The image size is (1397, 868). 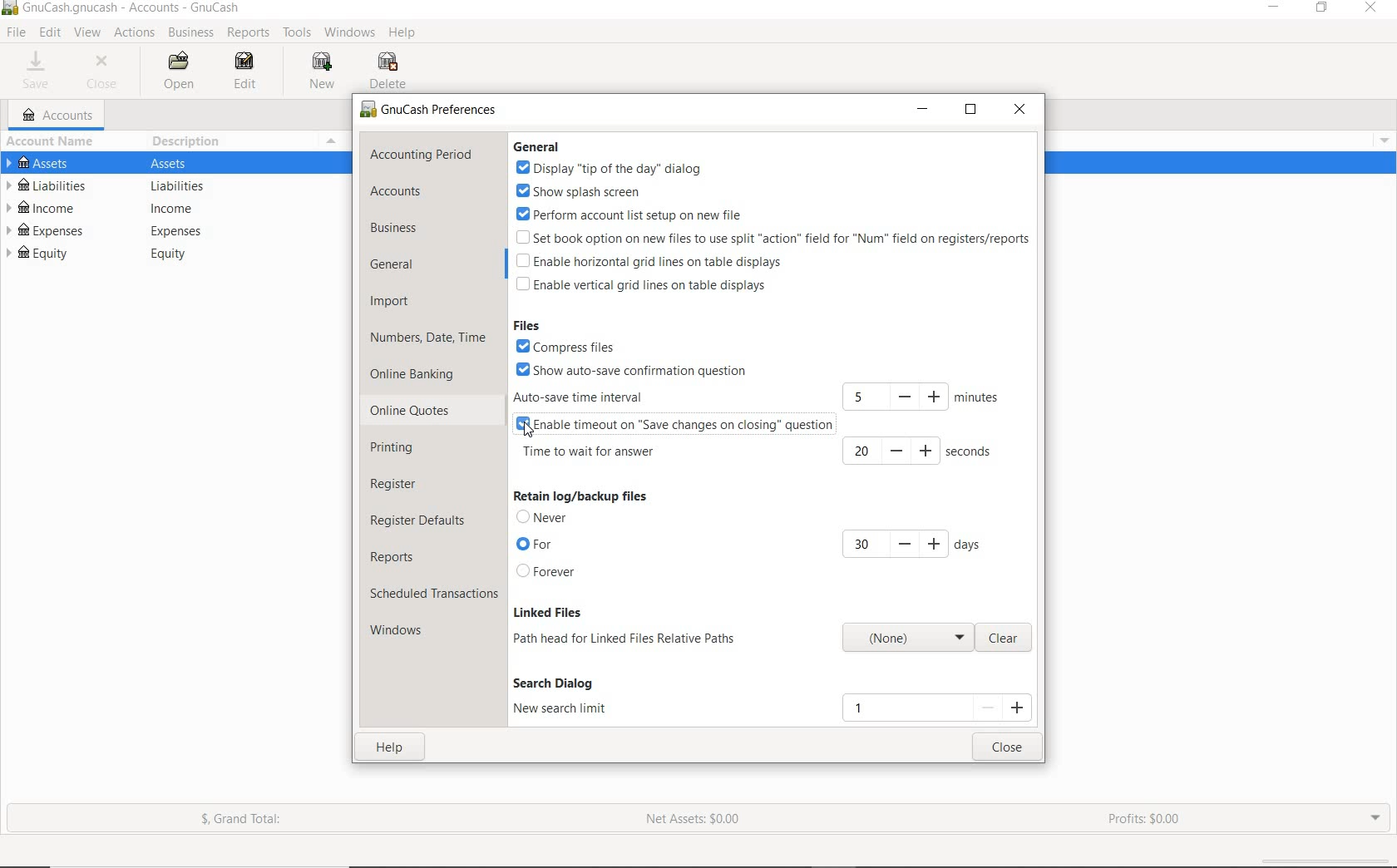 I want to click on new search limit, so click(x=562, y=710).